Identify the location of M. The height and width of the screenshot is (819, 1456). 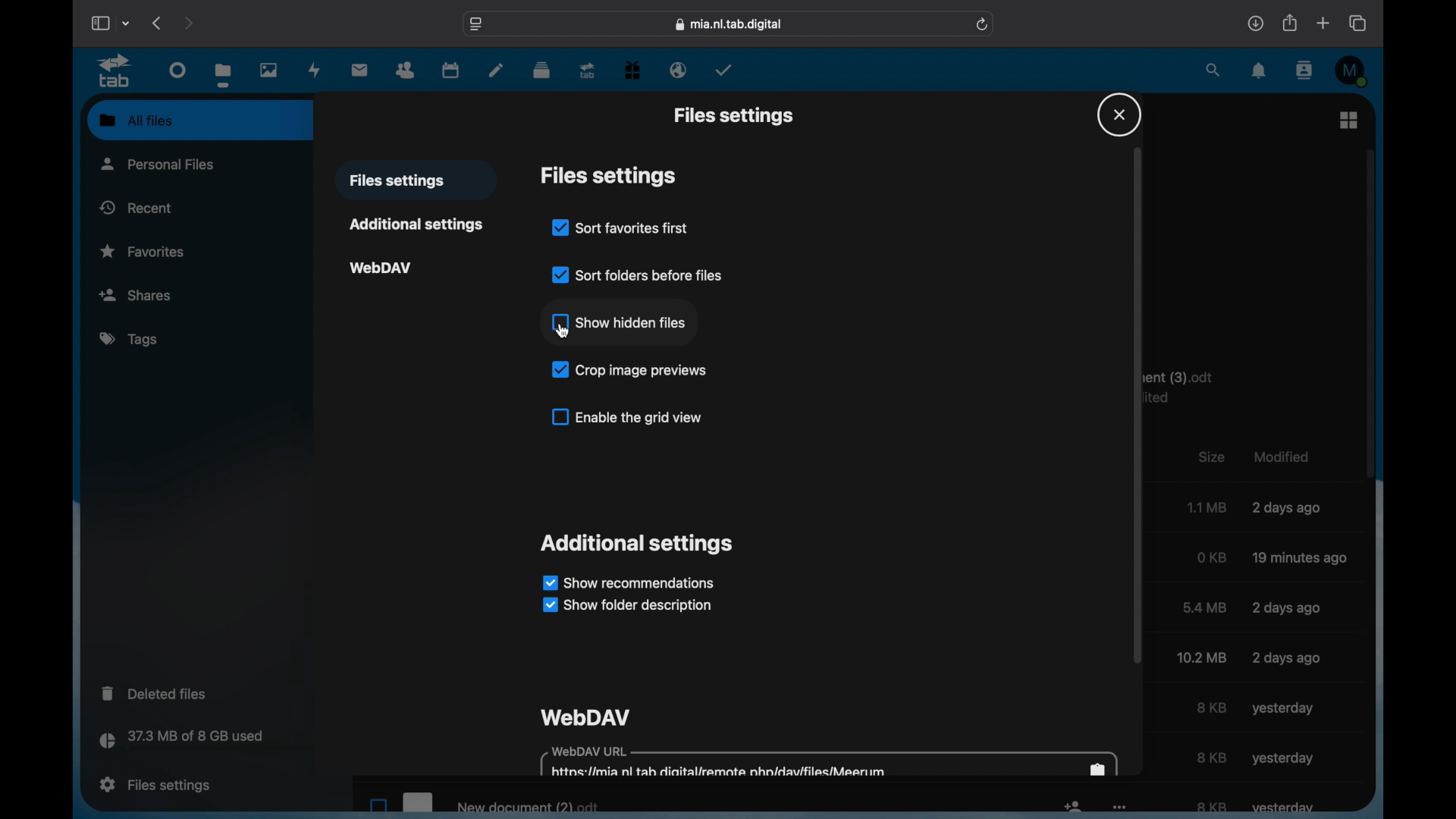
(1351, 71).